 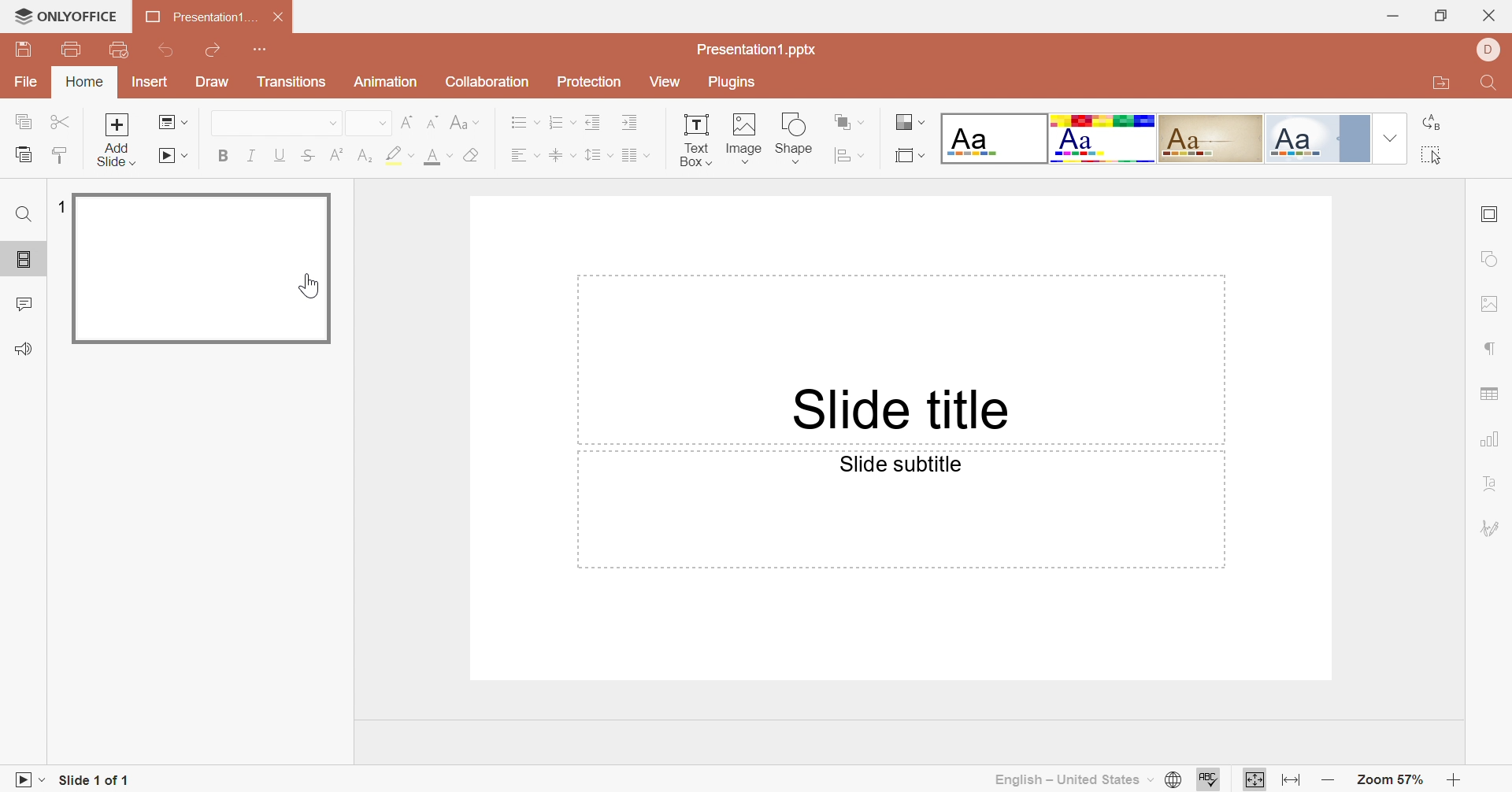 I want to click on Open file location, so click(x=1436, y=85).